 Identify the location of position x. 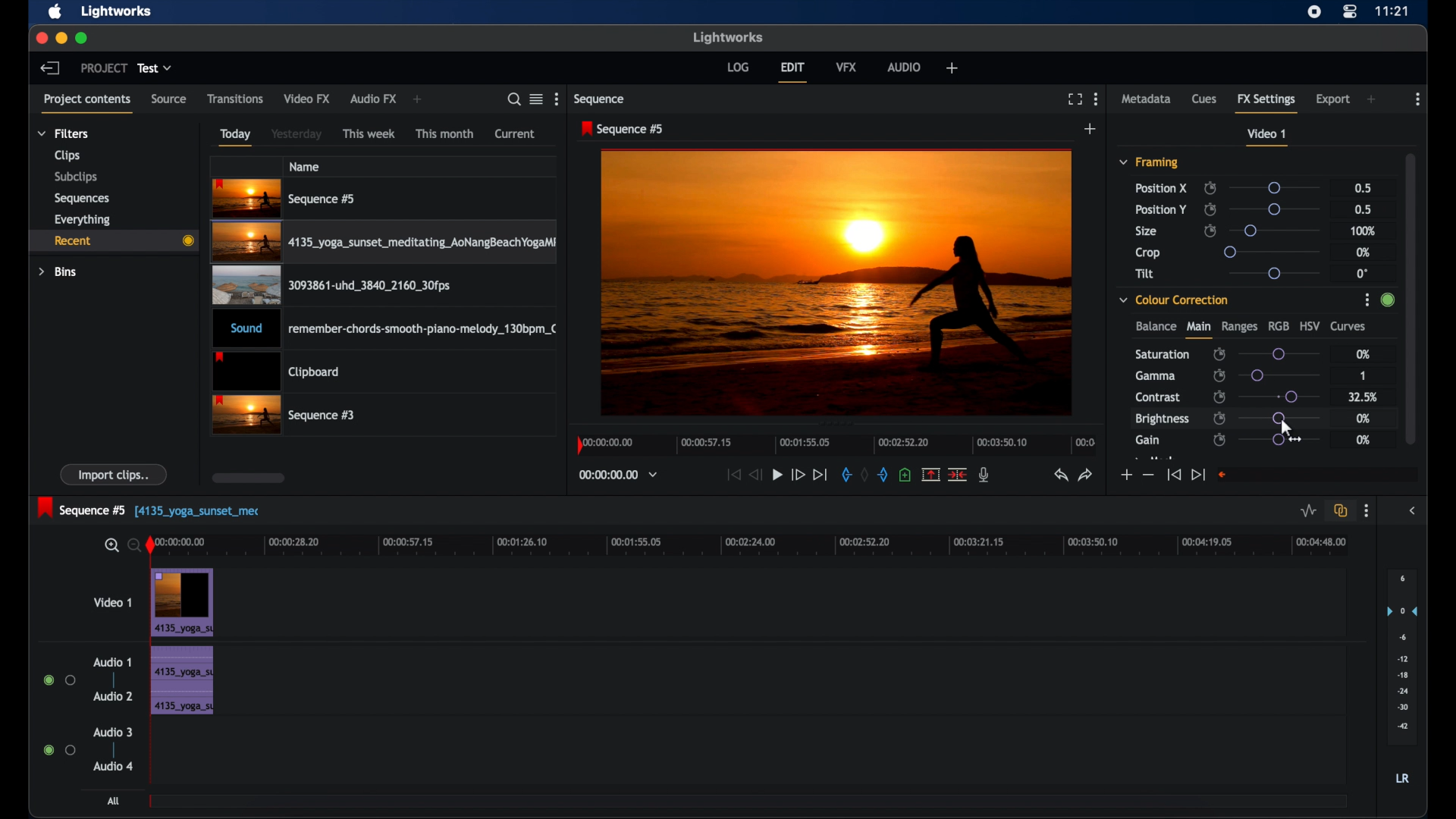
(1161, 188).